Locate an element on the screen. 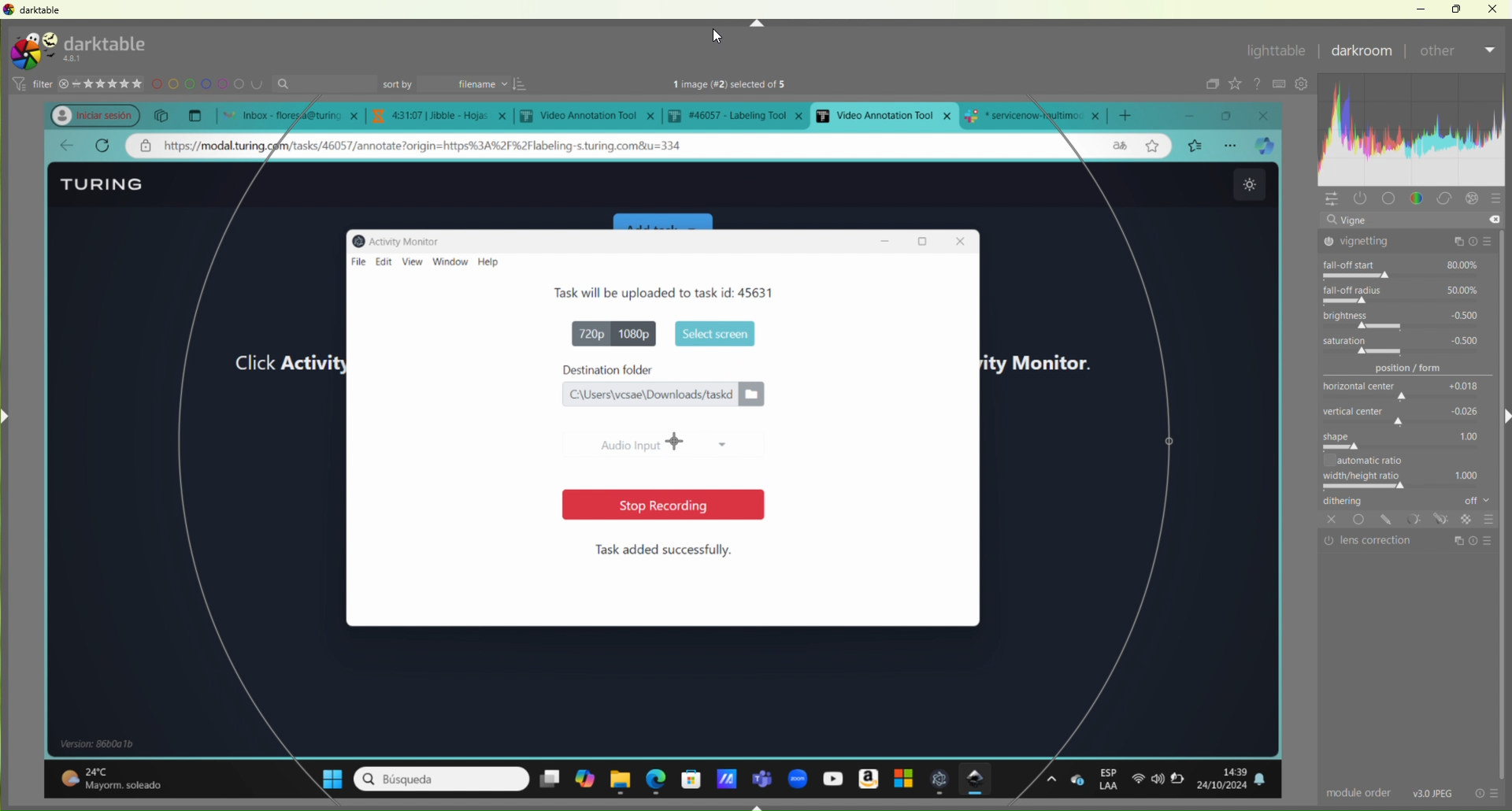  shape is located at coordinates (1406, 440).